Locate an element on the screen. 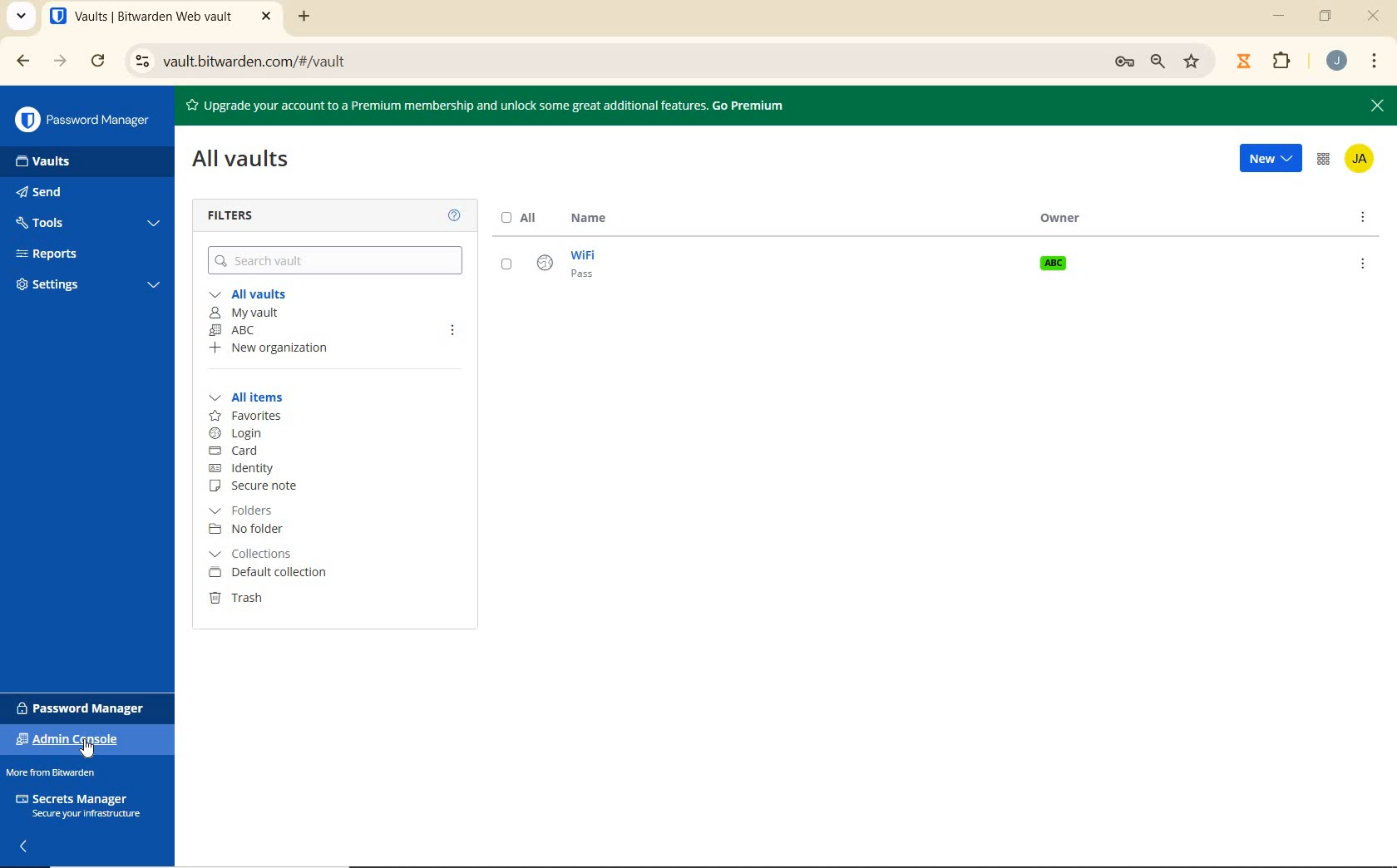 This screenshot has height=868, width=1397. PASSWORD MANAGER is located at coordinates (86, 706).